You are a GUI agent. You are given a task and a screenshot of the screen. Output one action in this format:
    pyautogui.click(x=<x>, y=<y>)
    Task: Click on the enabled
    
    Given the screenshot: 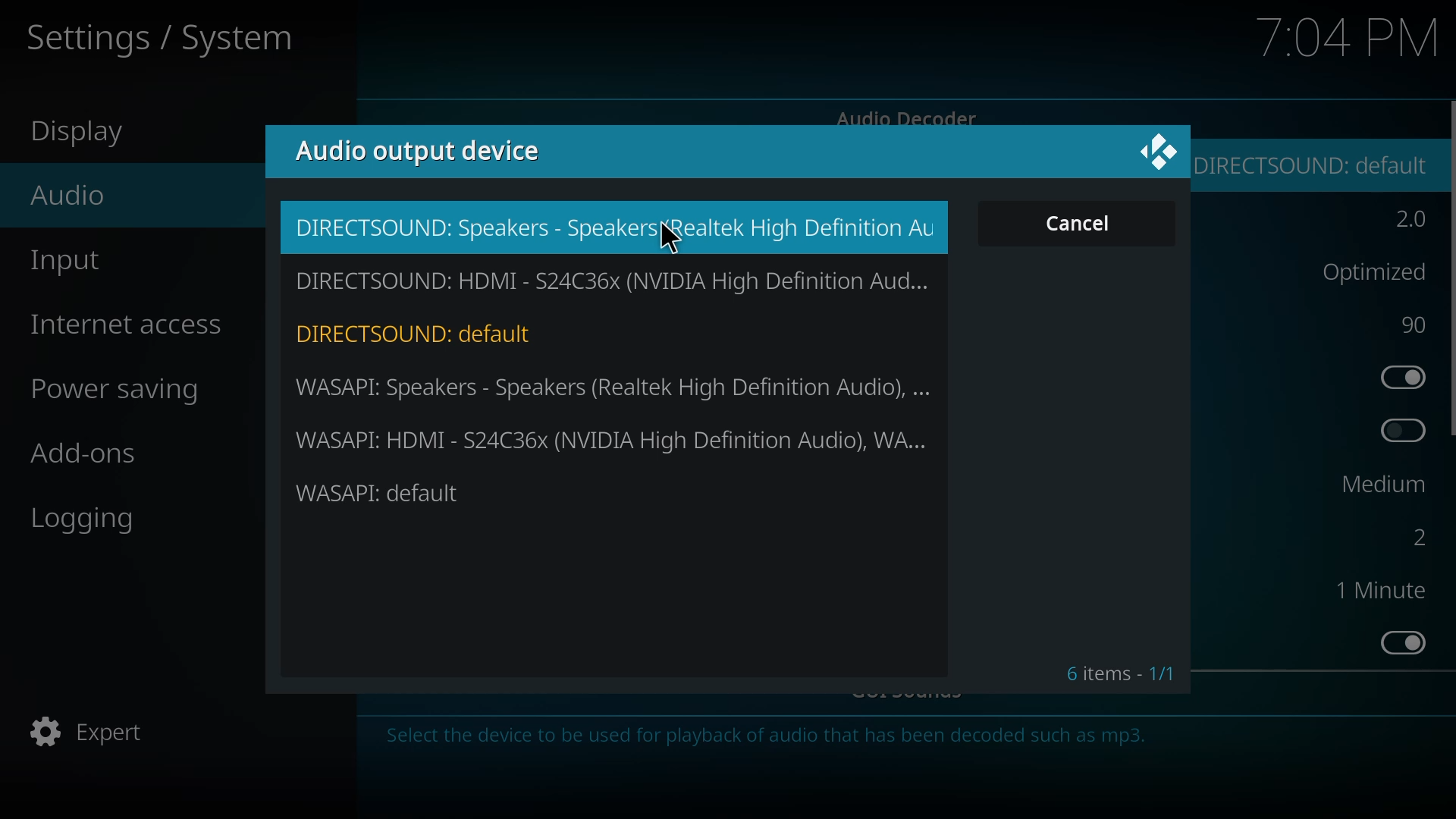 What is the action you would take?
    pyautogui.click(x=1402, y=377)
    